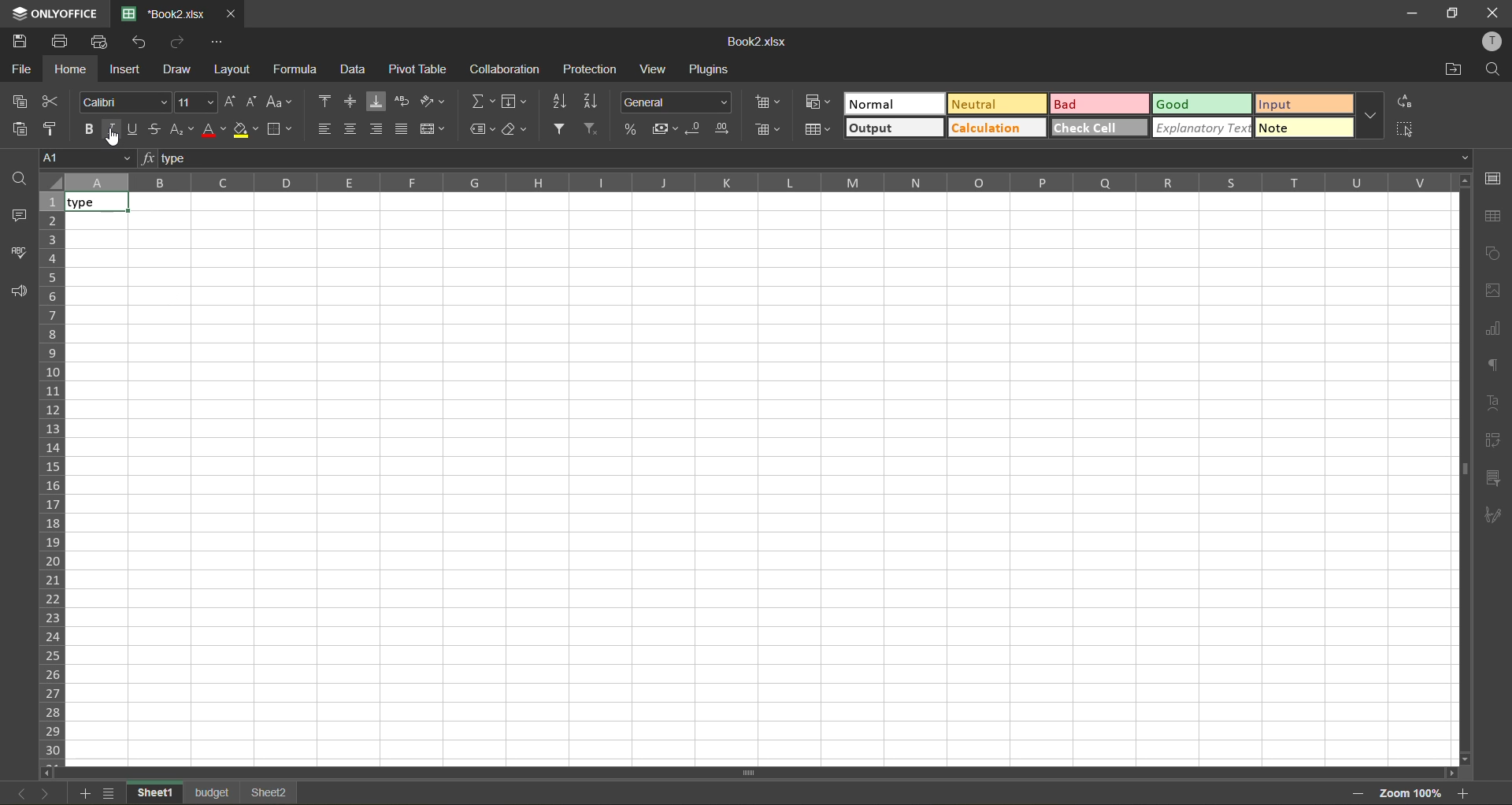 The height and width of the screenshot is (805, 1512). I want to click on profile, so click(1489, 42).